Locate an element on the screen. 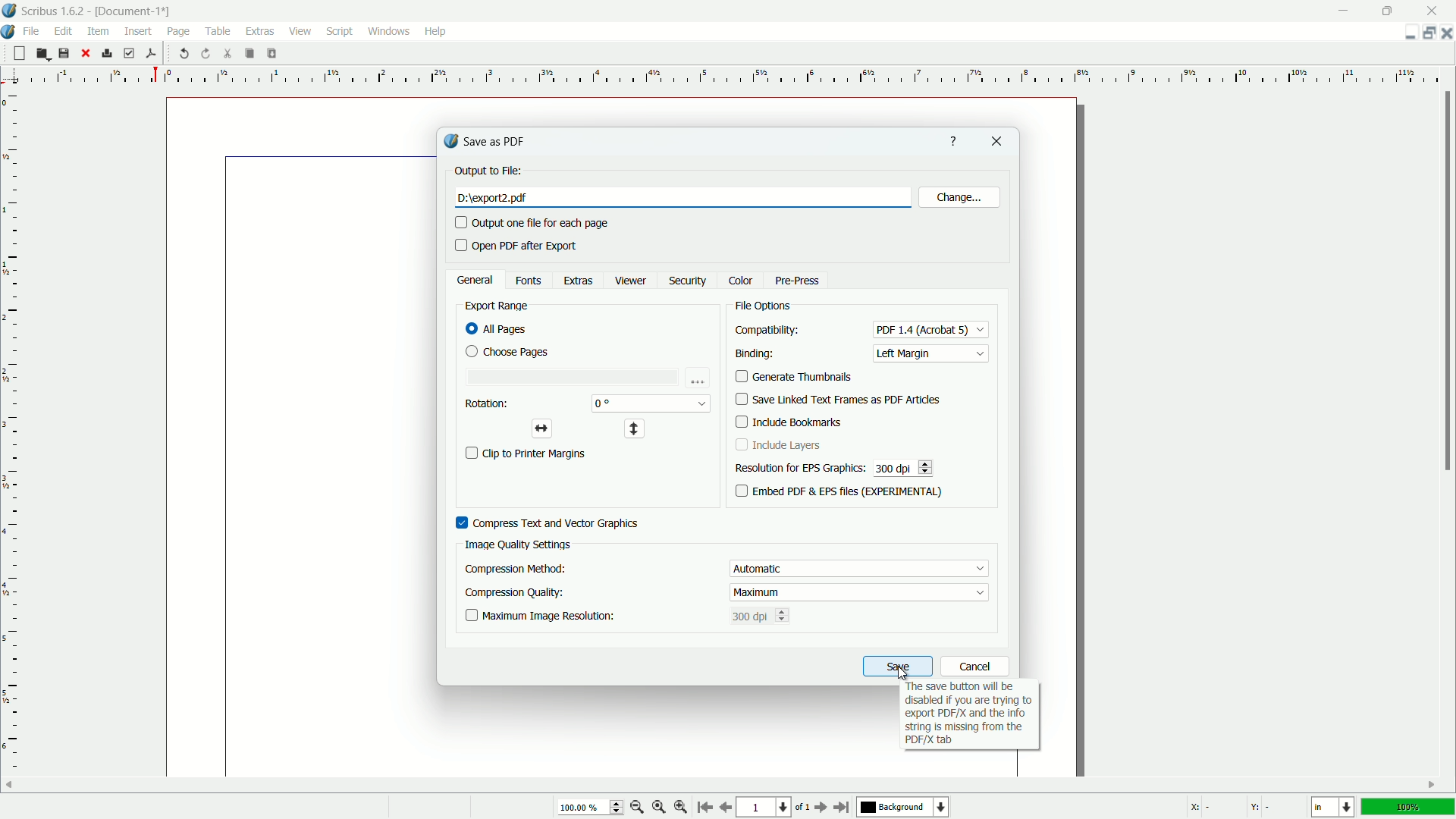 The image size is (1456, 819). paste is located at coordinates (274, 53).